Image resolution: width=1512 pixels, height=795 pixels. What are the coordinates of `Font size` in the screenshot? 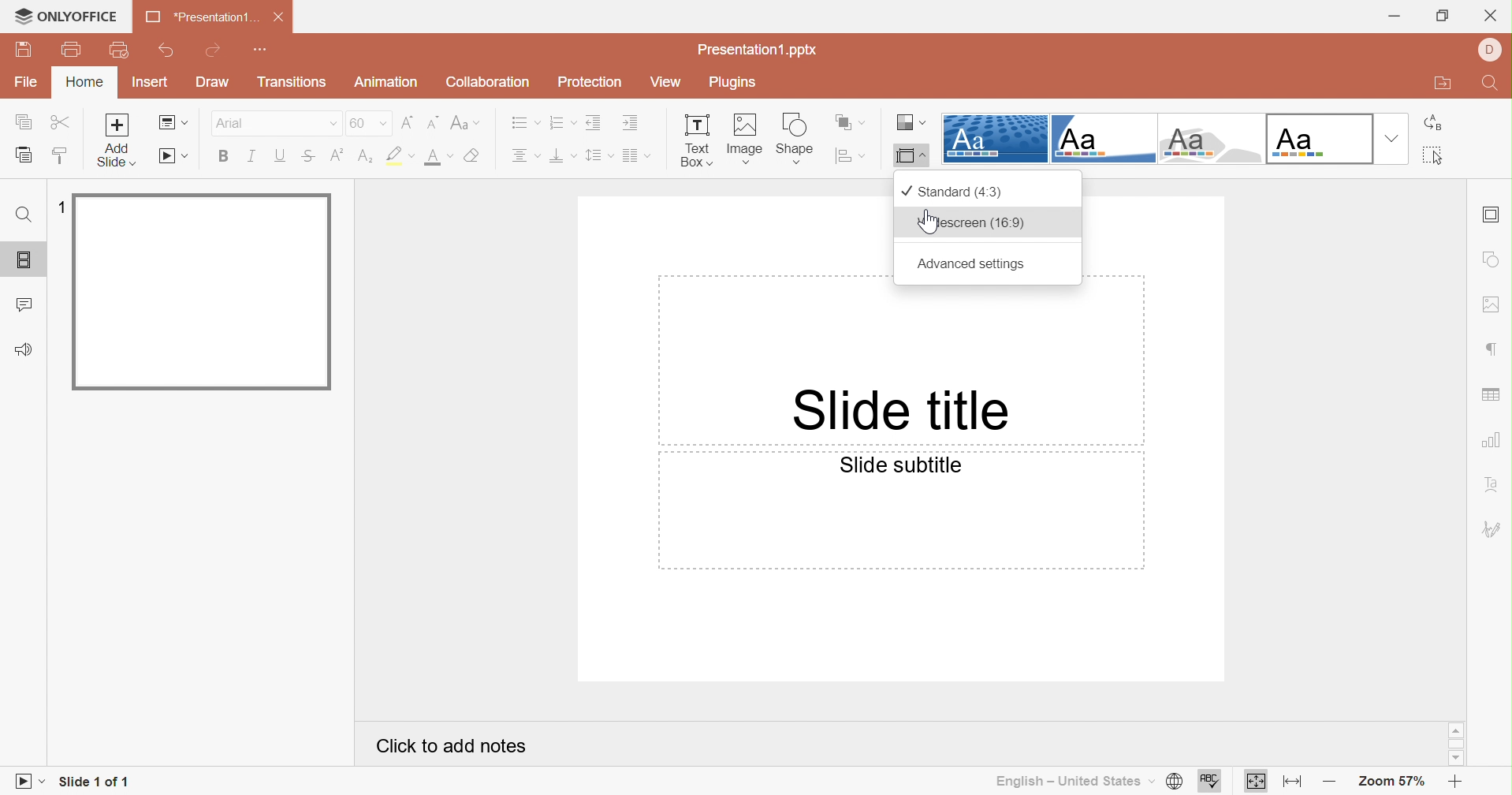 It's located at (367, 121).